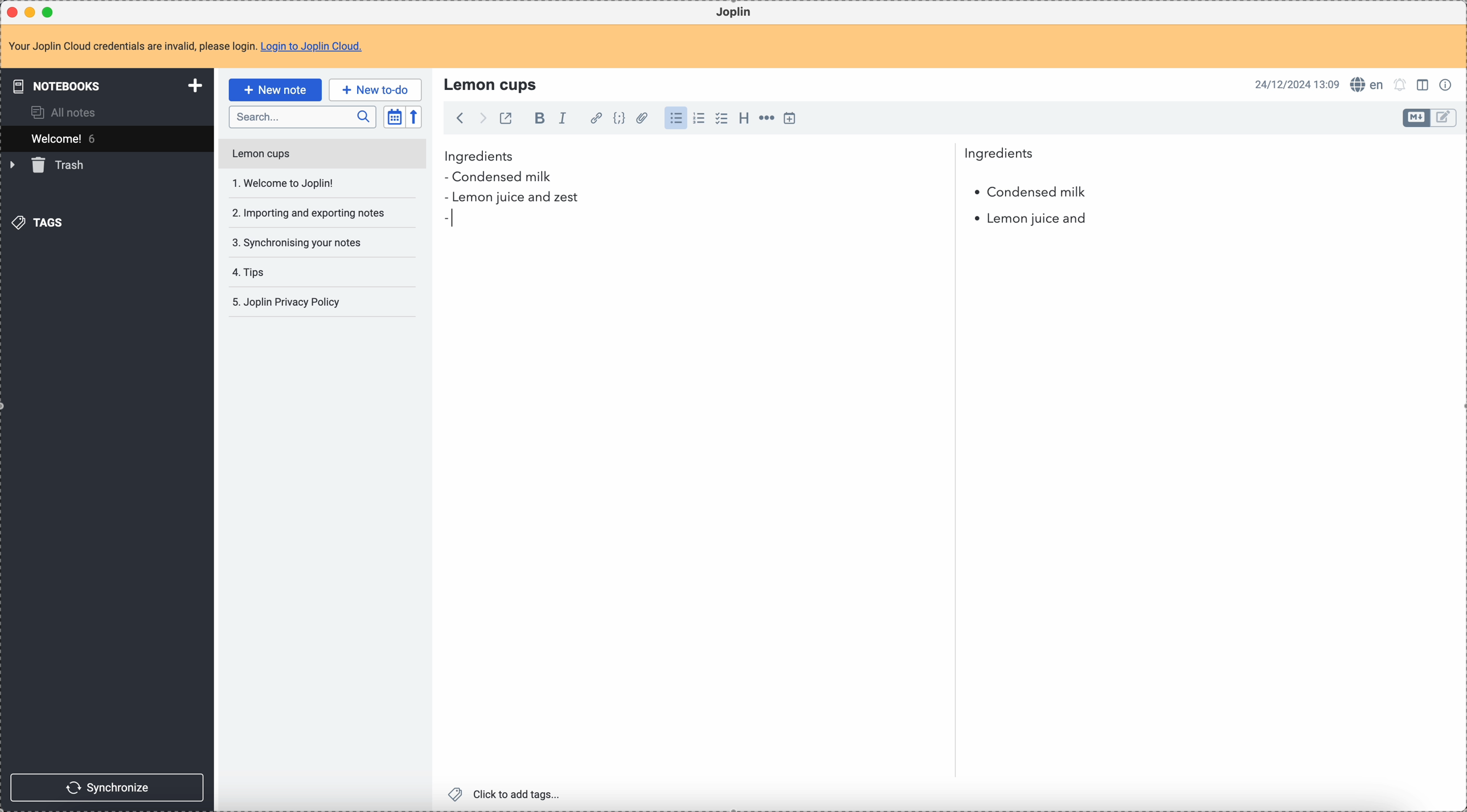 The width and height of the screenshot is (1467, 812). I want to click on reverse sort order, so click(416, 117).